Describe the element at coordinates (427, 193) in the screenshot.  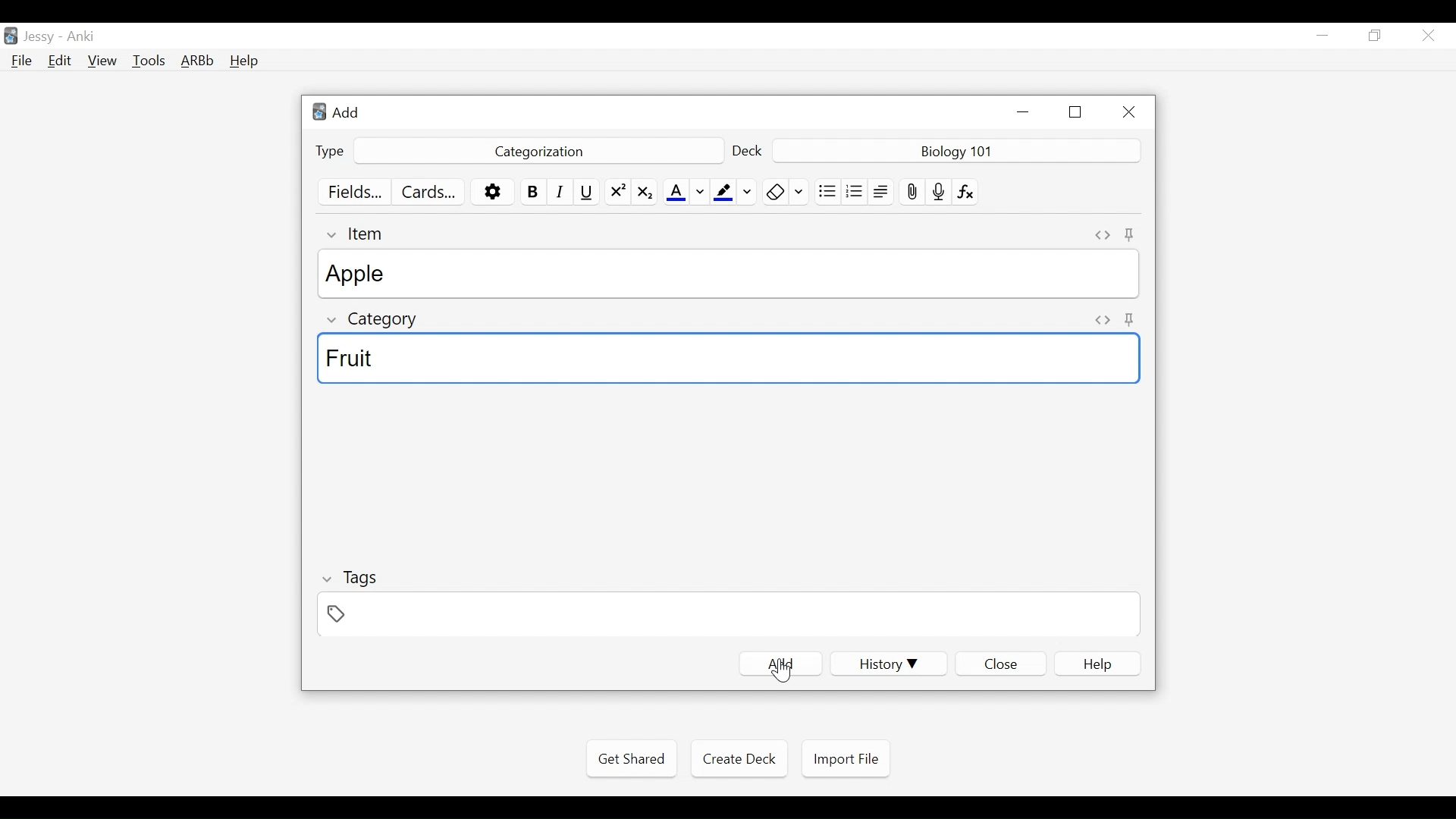
I see `Customize Card Template` at that location.